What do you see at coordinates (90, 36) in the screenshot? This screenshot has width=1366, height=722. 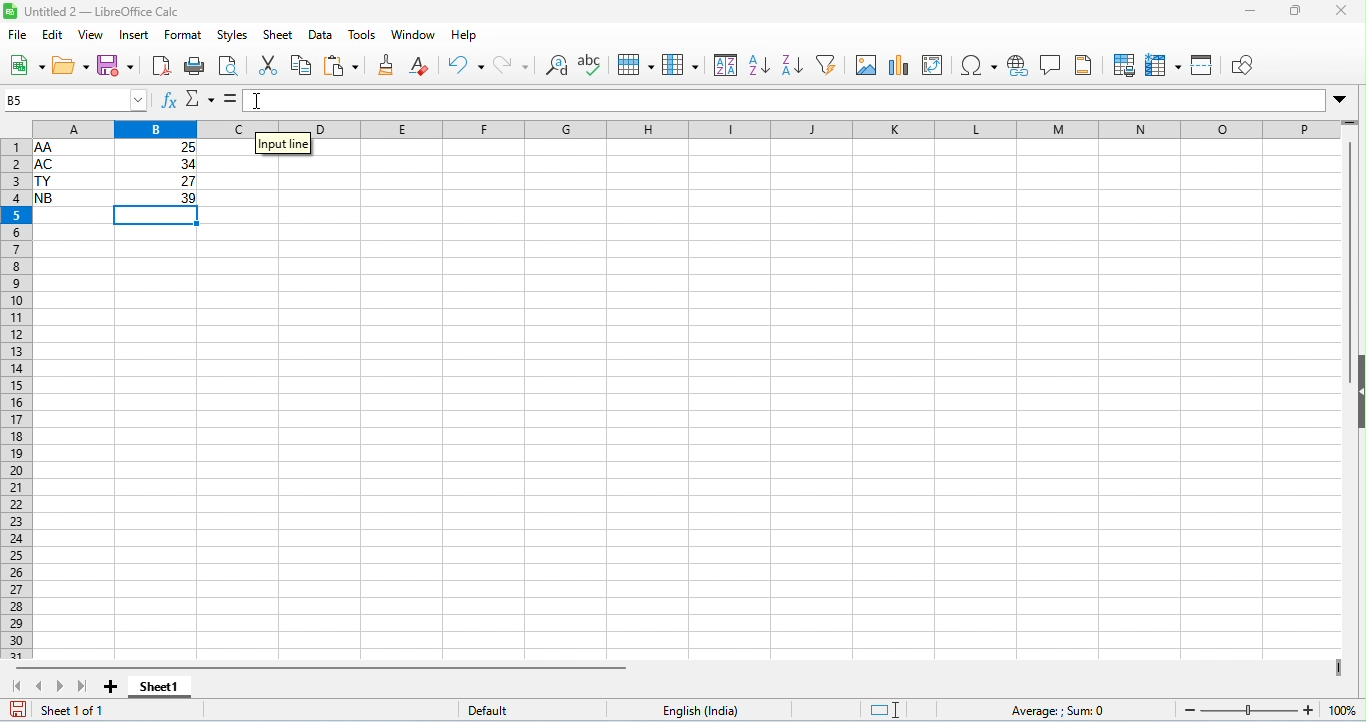 I see `view` at bounding box center [90, 36].